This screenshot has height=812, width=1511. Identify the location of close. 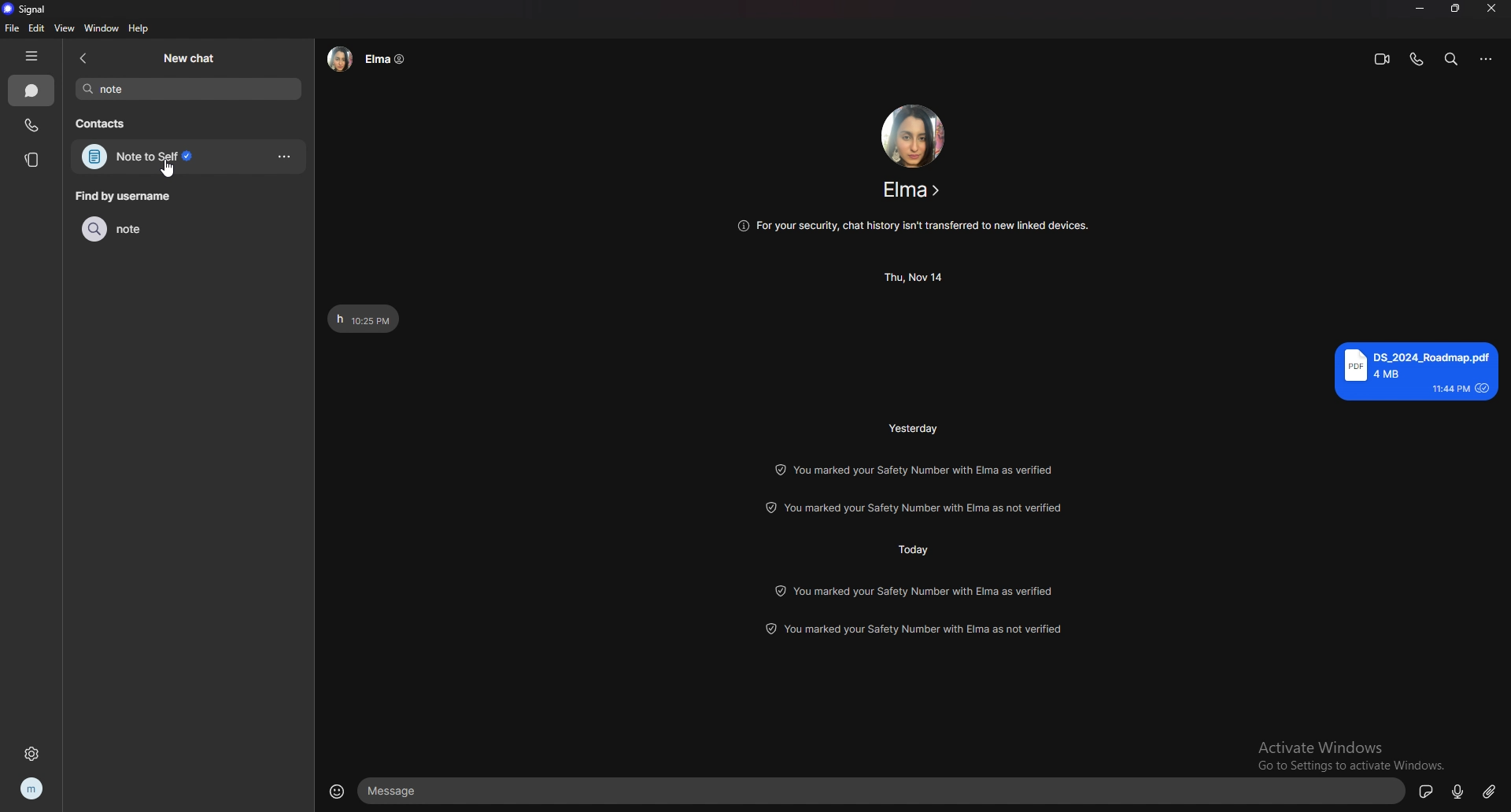
(1493, 8).